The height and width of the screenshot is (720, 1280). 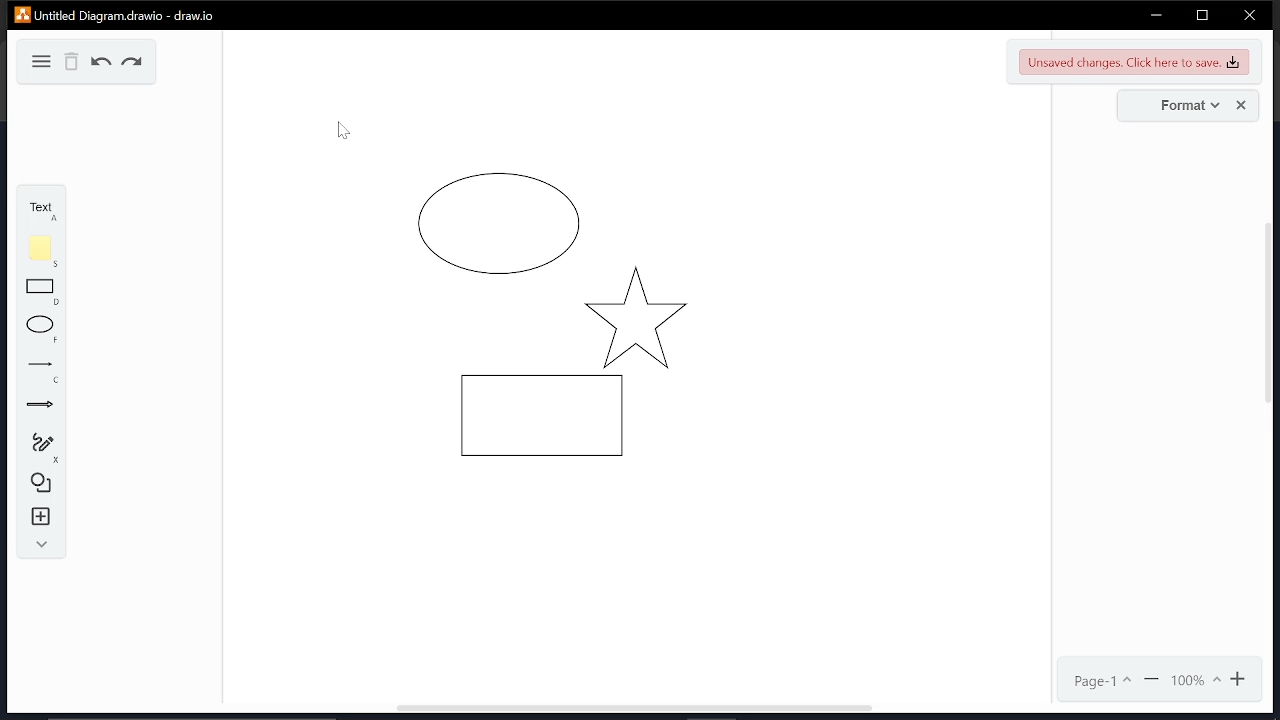 I want to click on text, so click(x=38, y=209).